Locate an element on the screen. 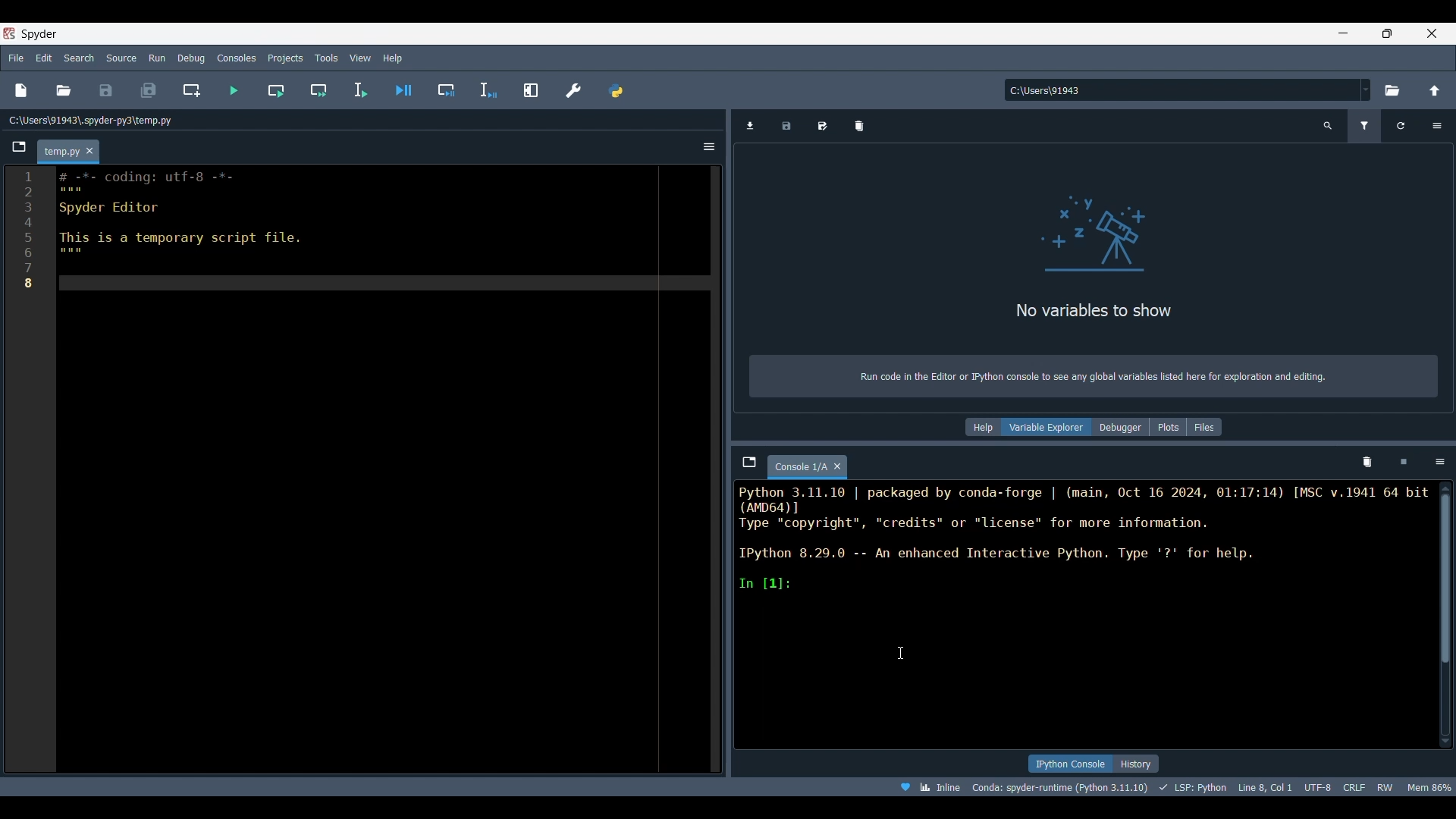  Source menu is located at coordinates (122, 57).